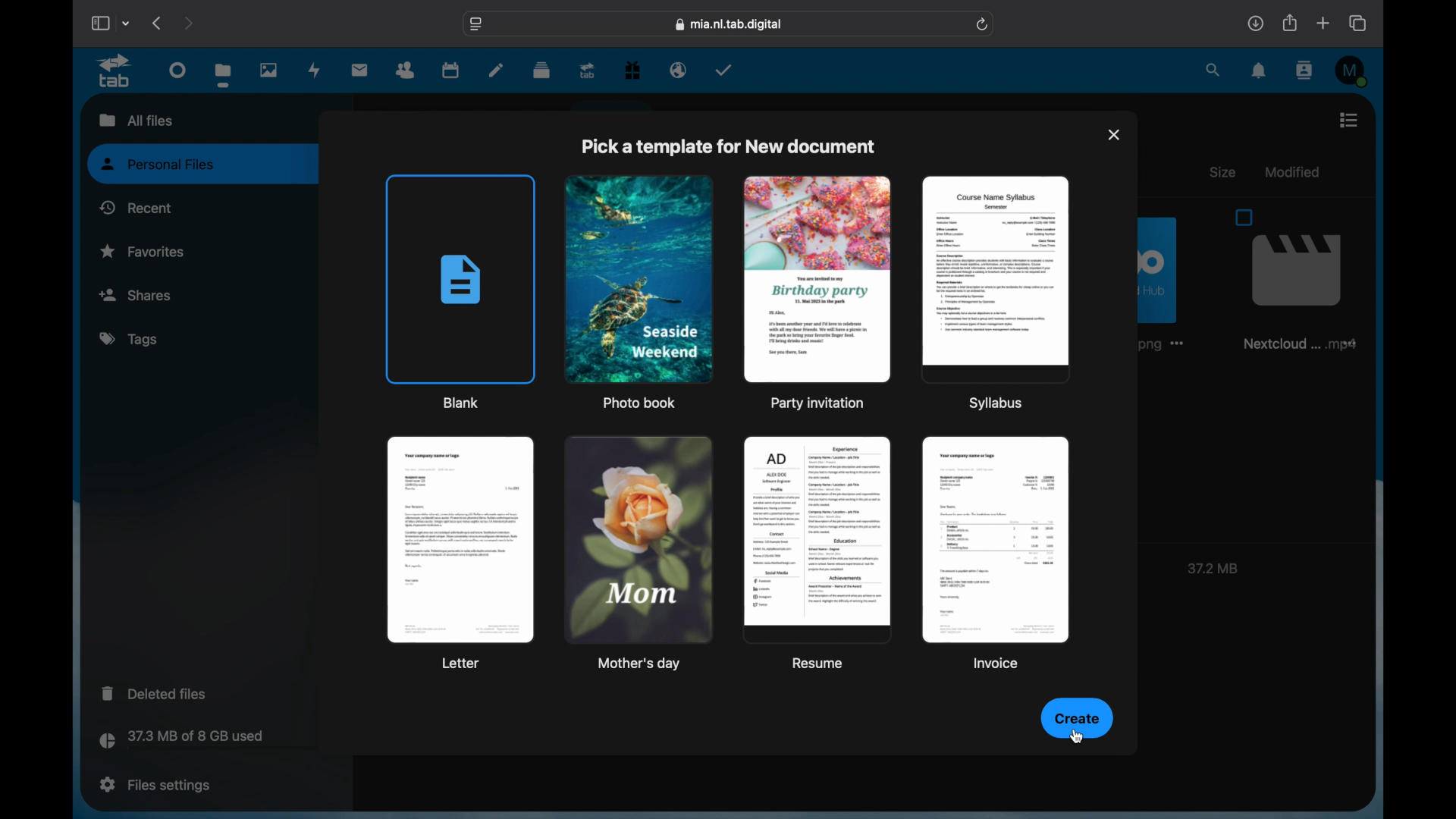 The image size is (1456, 819). Describe the element at coordinates (639, 552) in the screenshot. I see `mother's day` at that location.